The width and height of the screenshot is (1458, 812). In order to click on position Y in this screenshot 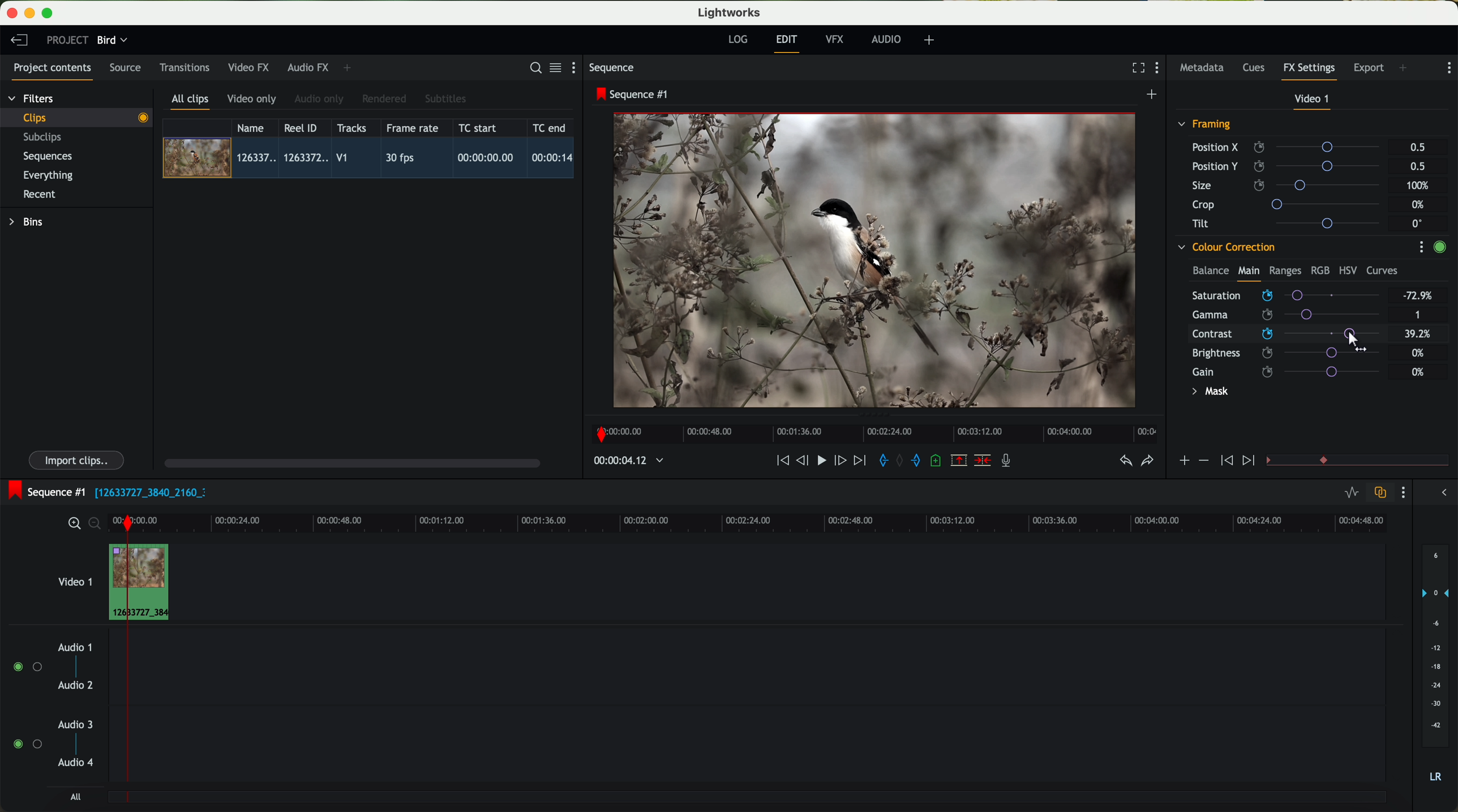, I will do `click(1290, 166)`.